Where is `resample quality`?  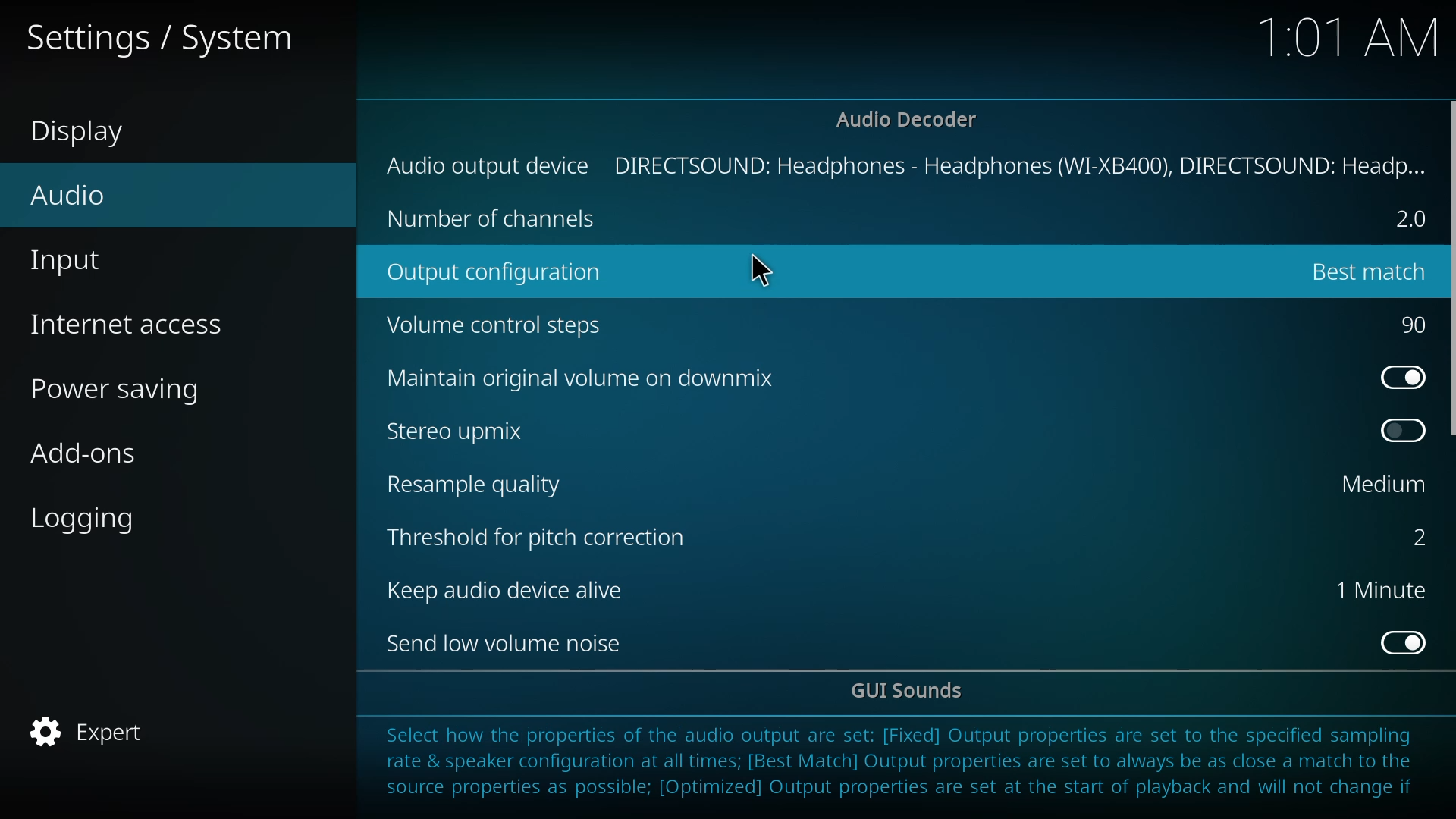
resample quality is located at coordinates (475, 486).